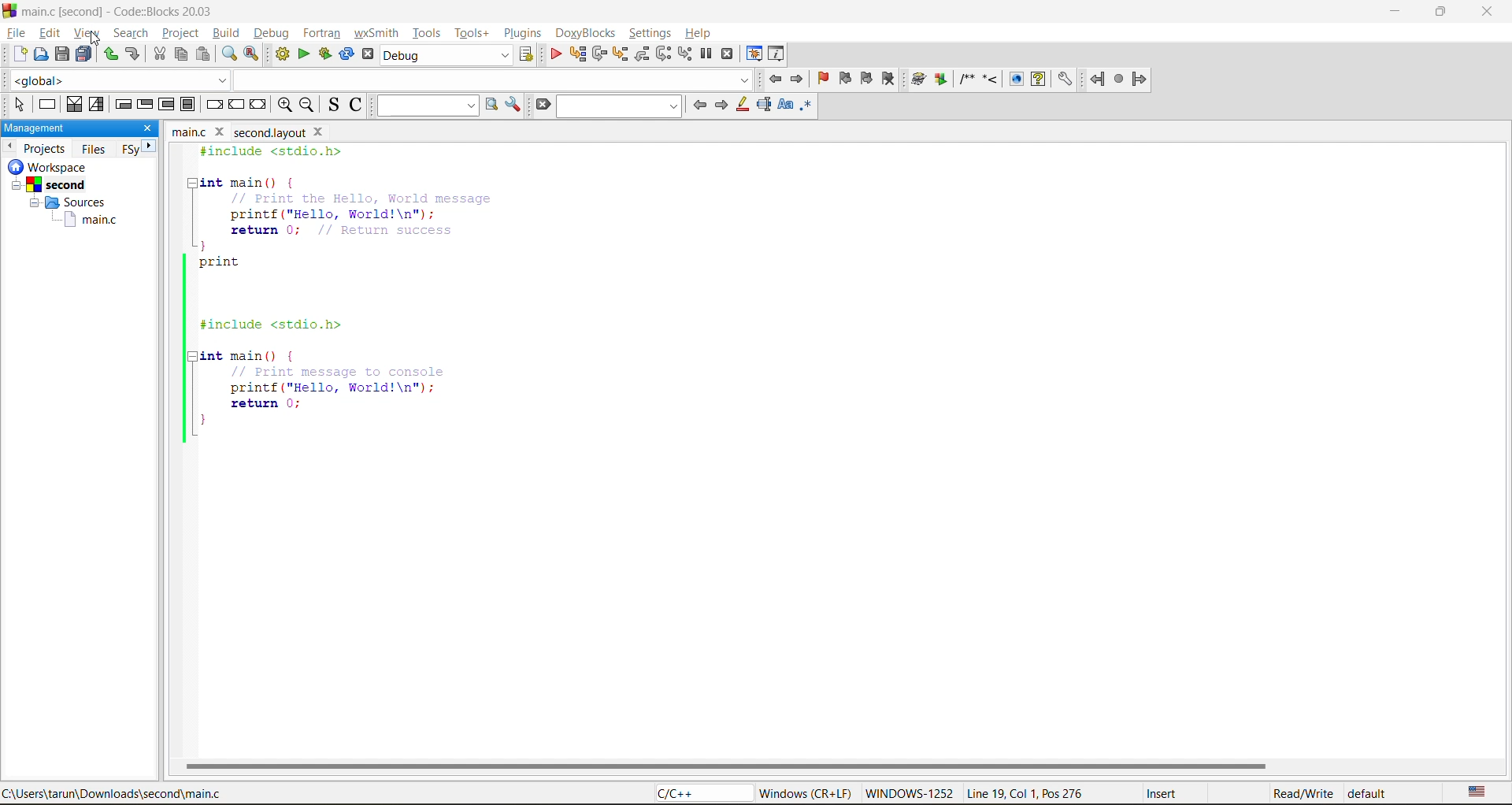  Describe the element at coordinates (784, 106) in the screenshot. I see `match case` at that location.